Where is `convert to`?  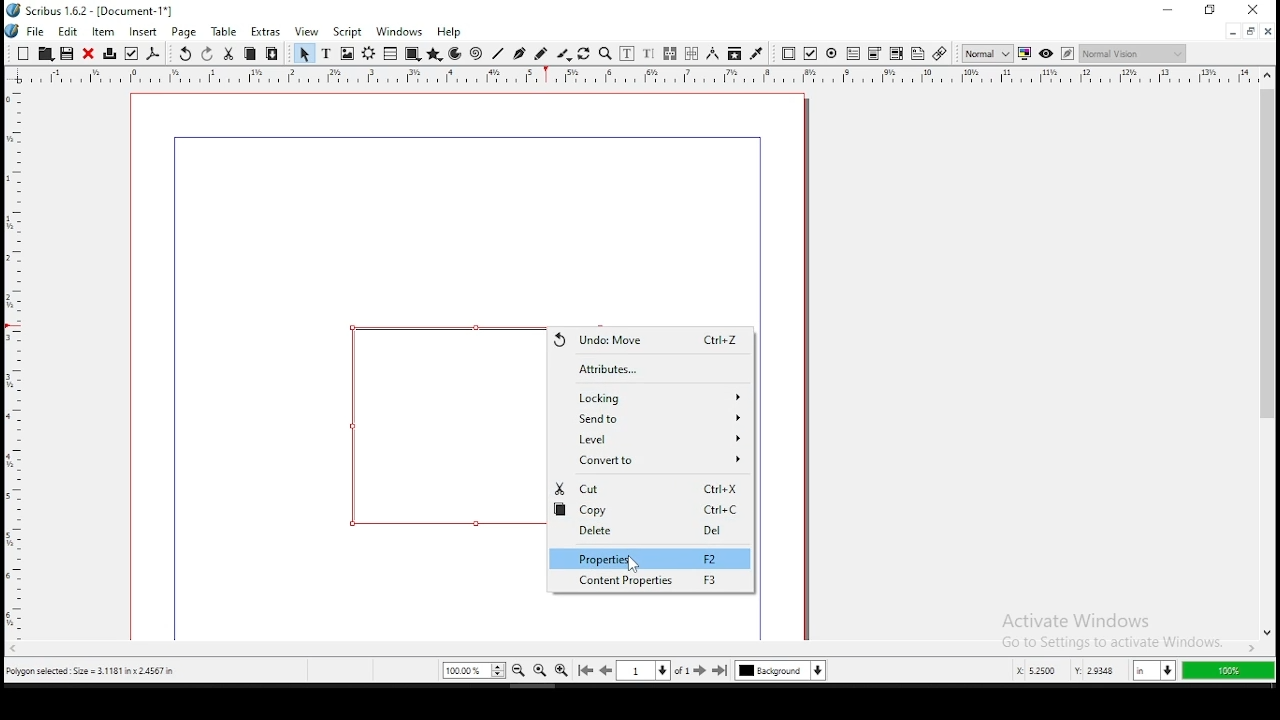
convert to is located at coordinates (652, 460).